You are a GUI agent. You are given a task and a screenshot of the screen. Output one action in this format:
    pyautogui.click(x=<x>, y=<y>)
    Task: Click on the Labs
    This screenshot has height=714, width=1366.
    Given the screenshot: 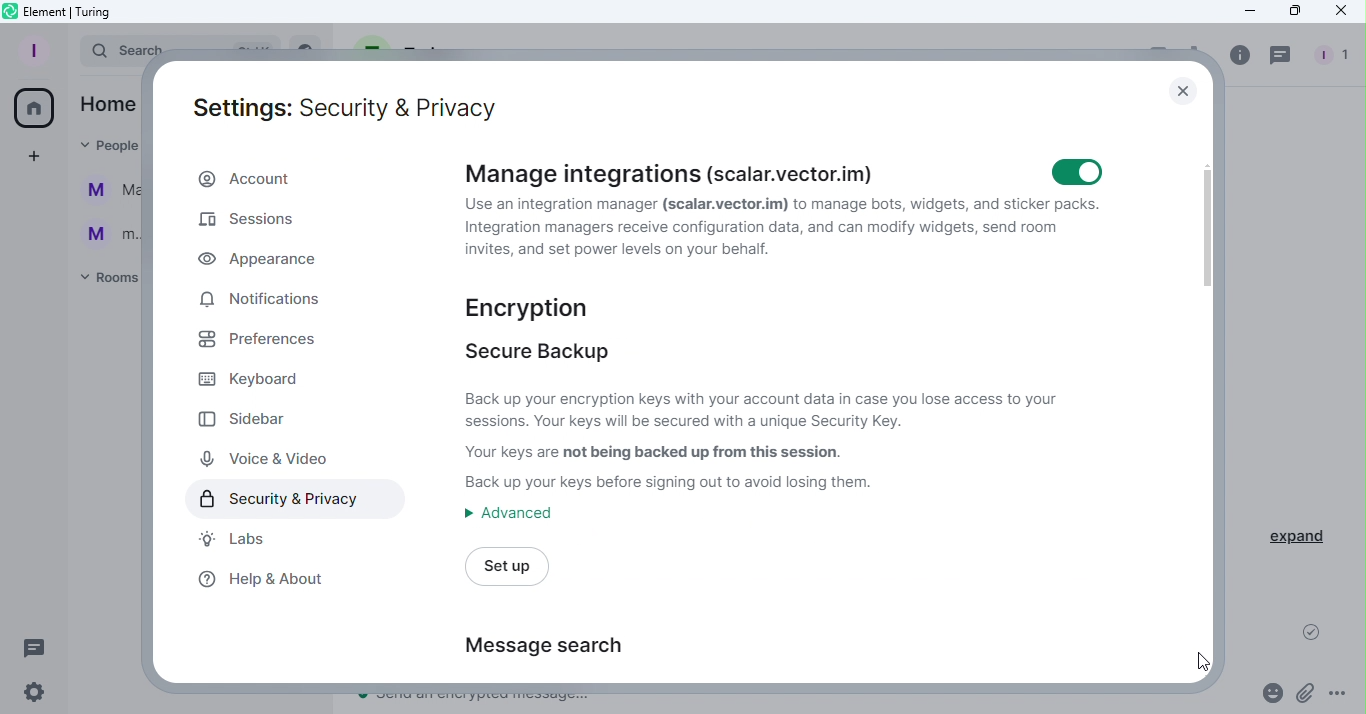 What is the action you would take?
    pyautogui.click(x=233, y=539)
    